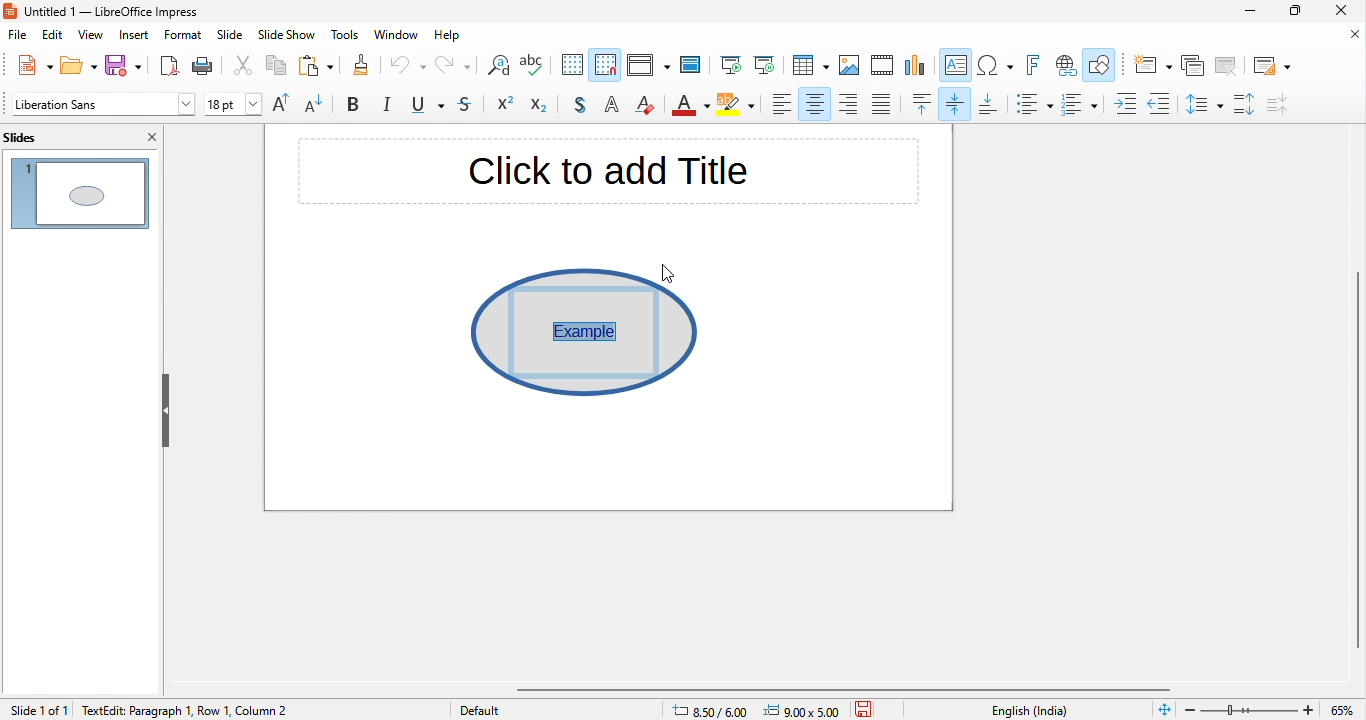 The image size is (1366, 720). I want to click on show draw function, so click(1101, 67).